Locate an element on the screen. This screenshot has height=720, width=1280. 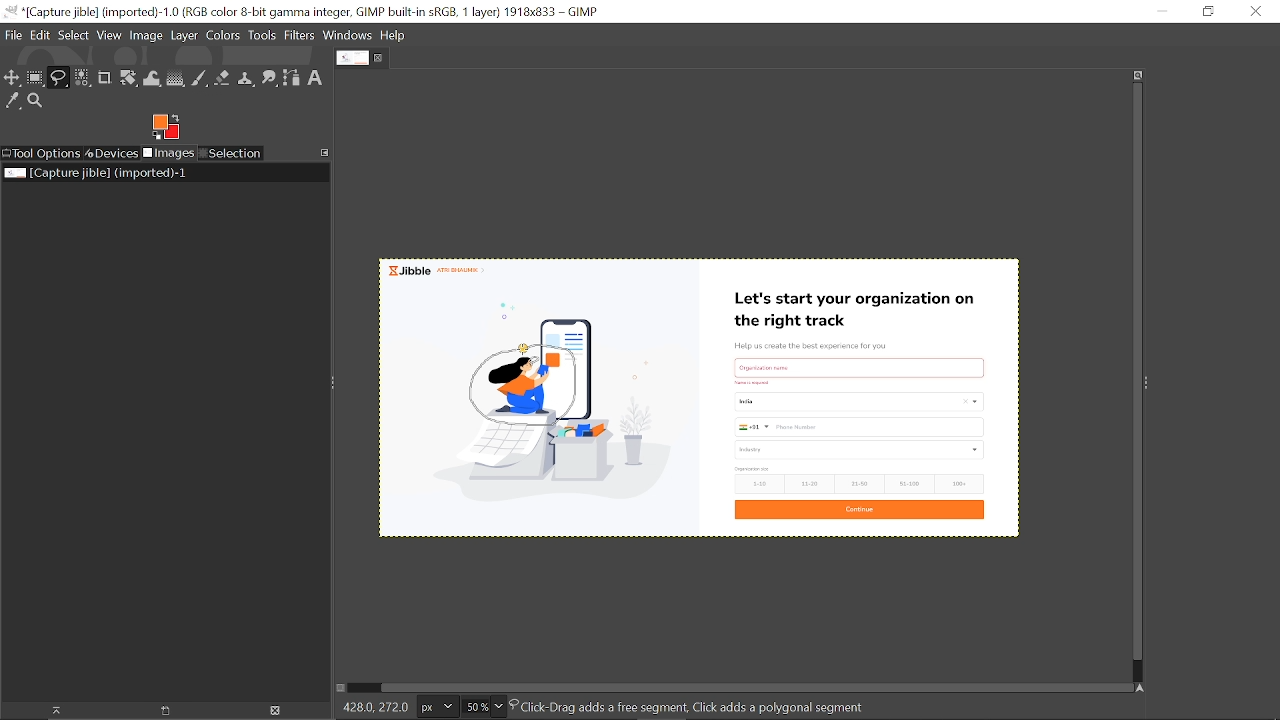
428.0,272.0 is located at coordinates (371, 710).